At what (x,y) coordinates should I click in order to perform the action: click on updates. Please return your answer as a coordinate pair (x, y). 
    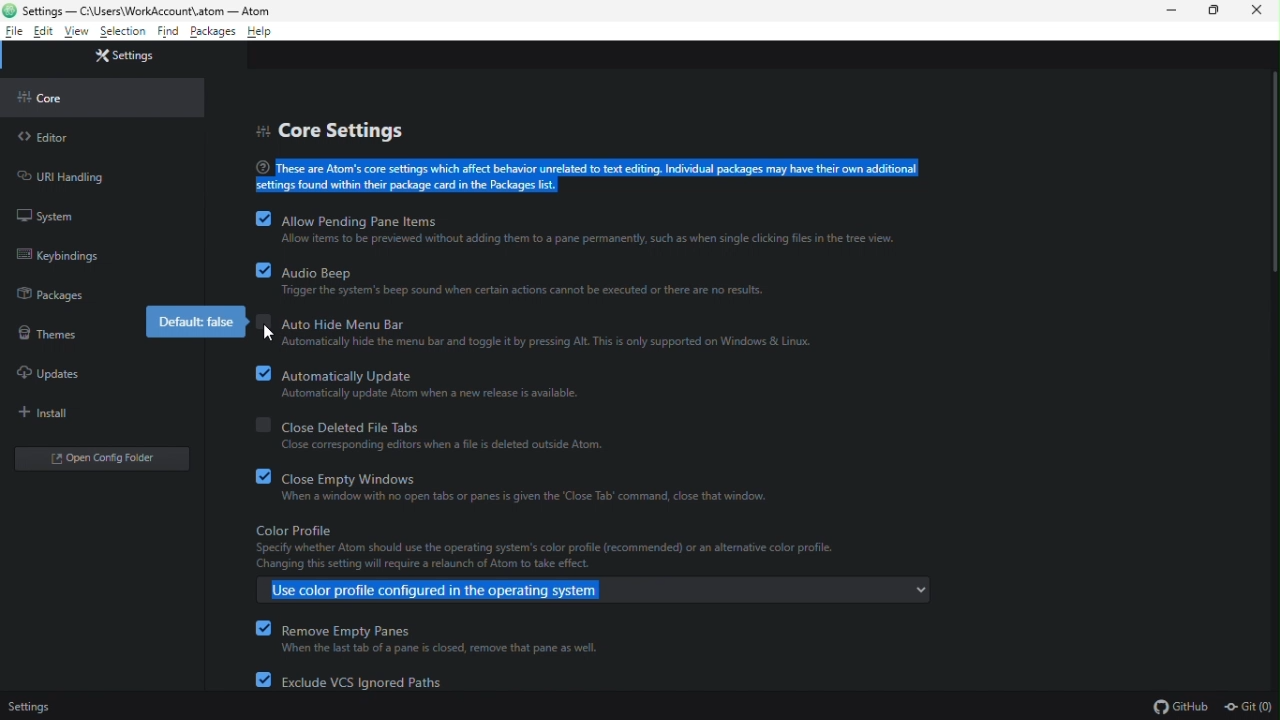
    Looking at the image, I should click on (48, 375).